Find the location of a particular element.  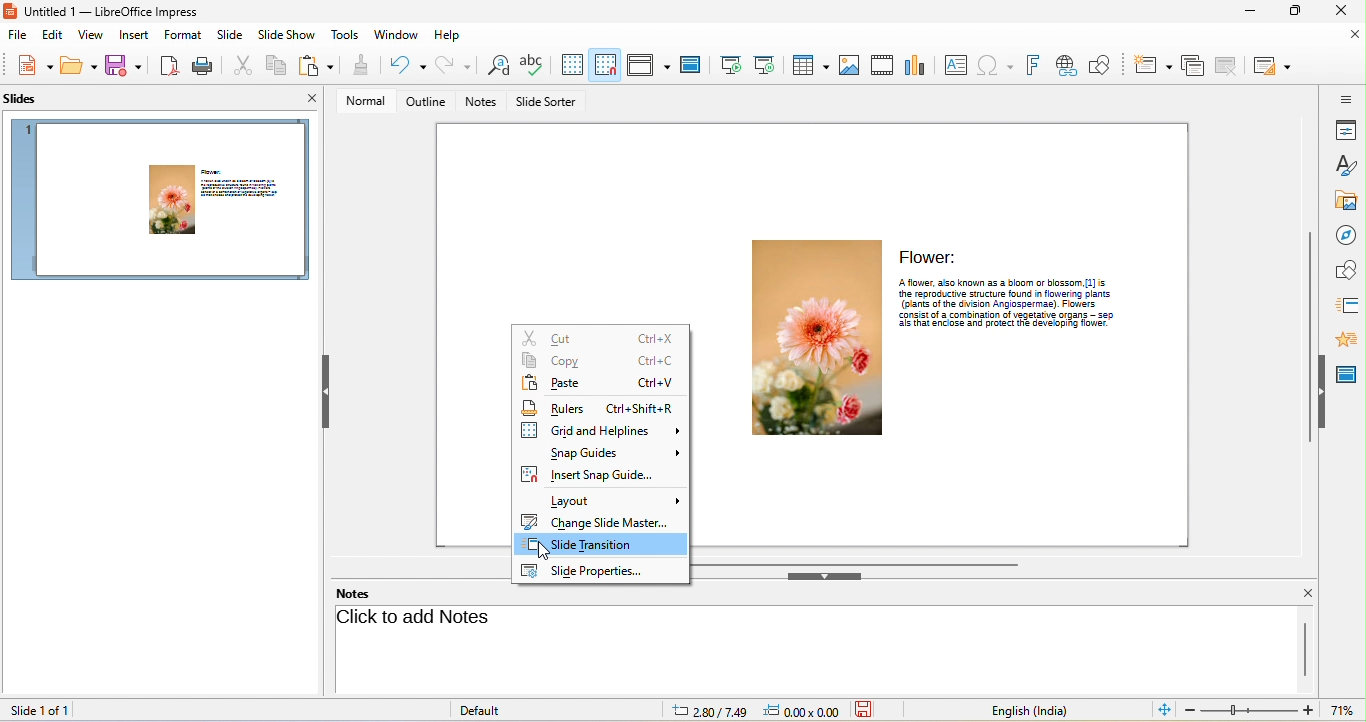

copy is located at coordinates (602, 361).